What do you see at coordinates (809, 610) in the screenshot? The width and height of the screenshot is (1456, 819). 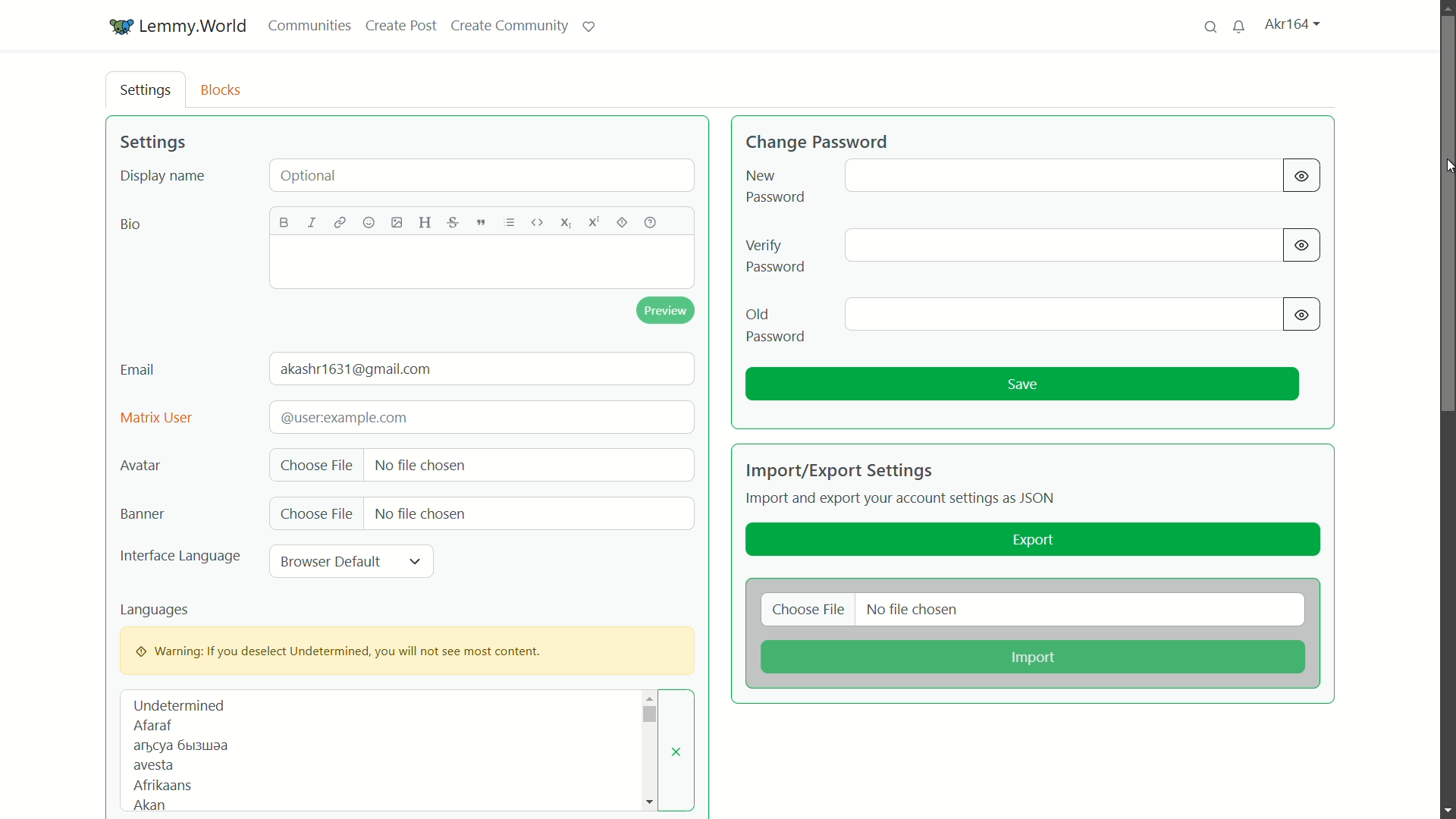 I see `choose file` at bounding box center [809, 610].